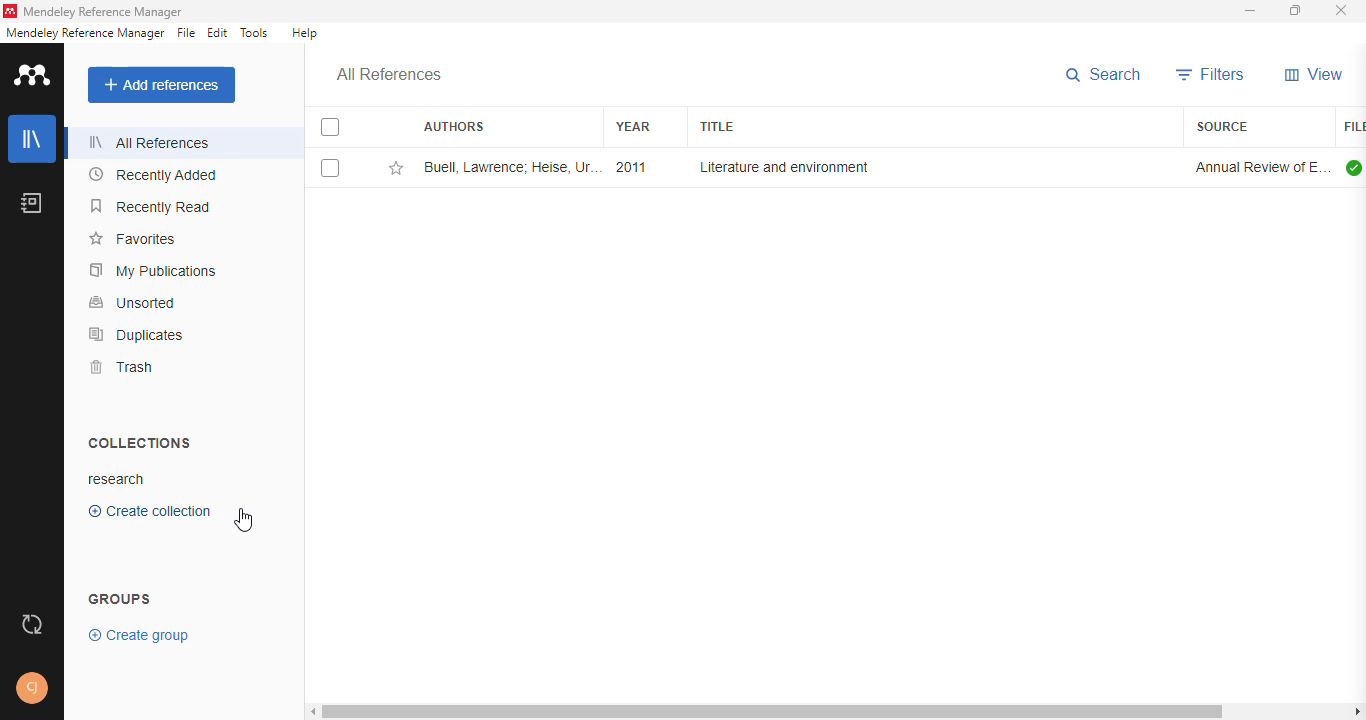  I want to click on minimize, so click(1251, 12).